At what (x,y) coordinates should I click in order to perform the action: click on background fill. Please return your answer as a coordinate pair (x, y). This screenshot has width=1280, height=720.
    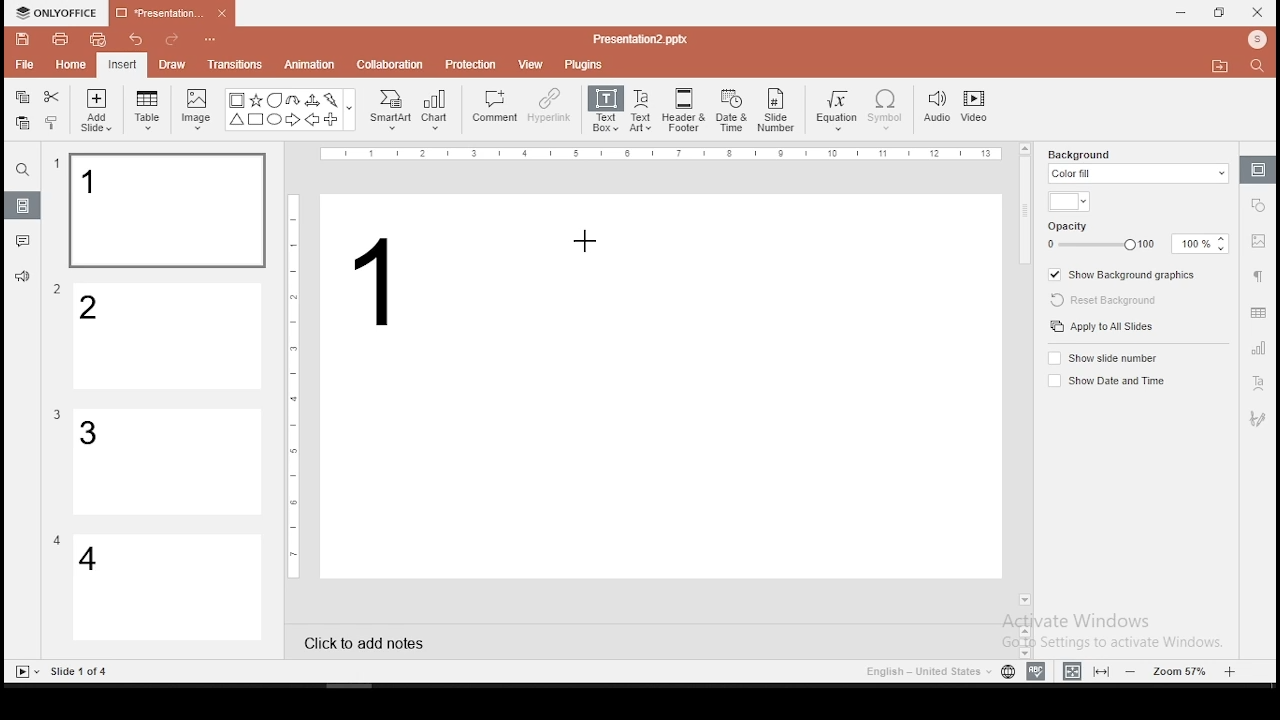
    Looking at the image, I should click on (1136, 164).